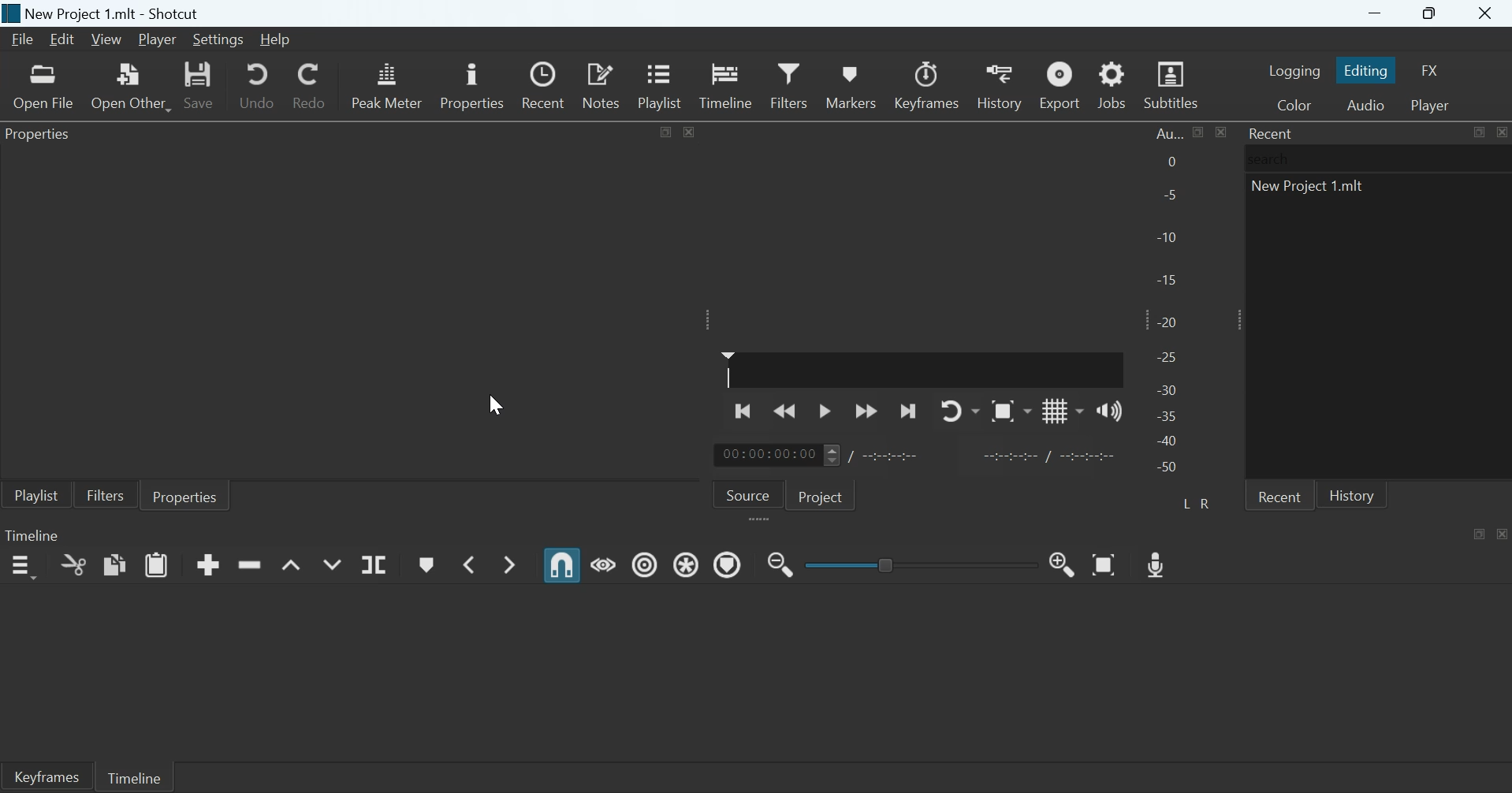 The image size is (1512, 793). I want to click on close, so click(1220, 132).